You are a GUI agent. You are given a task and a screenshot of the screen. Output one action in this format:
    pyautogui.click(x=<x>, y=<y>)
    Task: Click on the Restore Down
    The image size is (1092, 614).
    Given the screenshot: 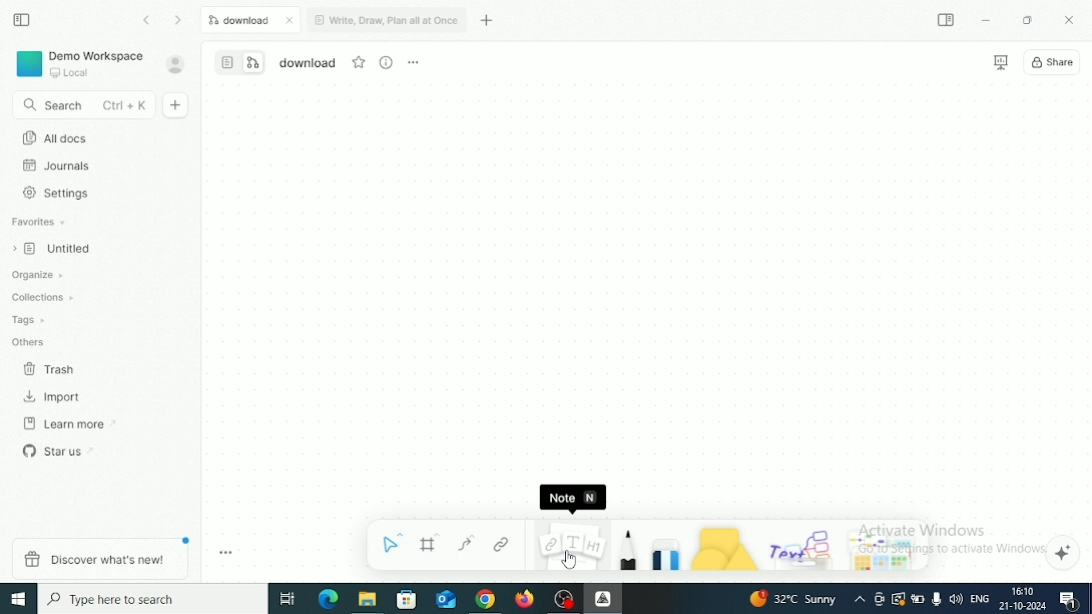 What is the action you would take?
    pyautogui.click(x=1026, y=21)
    